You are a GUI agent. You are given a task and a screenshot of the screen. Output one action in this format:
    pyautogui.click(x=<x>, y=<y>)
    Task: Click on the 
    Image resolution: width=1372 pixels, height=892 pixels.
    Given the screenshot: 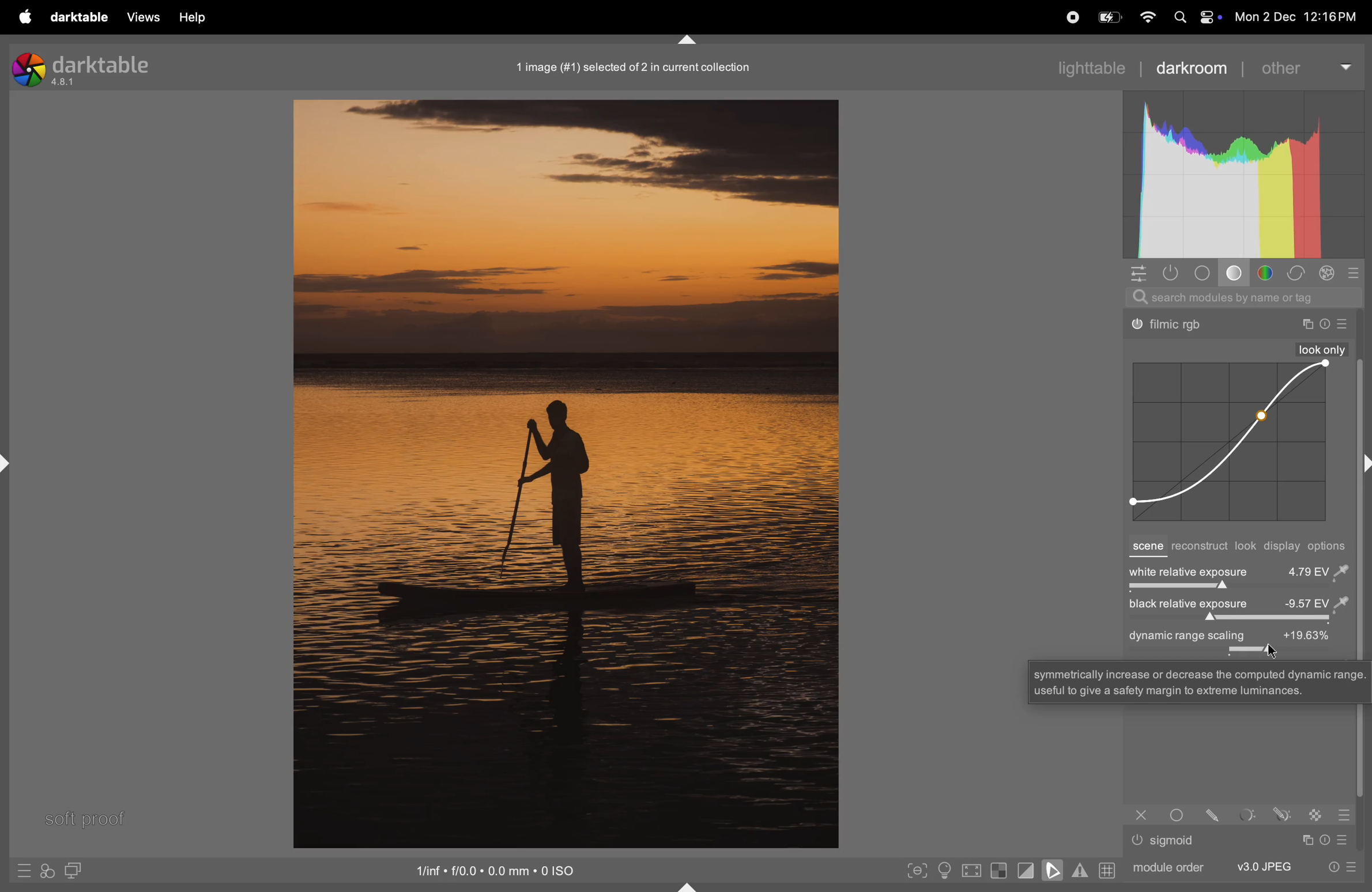 What is the action you would take?
    pyautogui.click(x=1327, y=840)
    